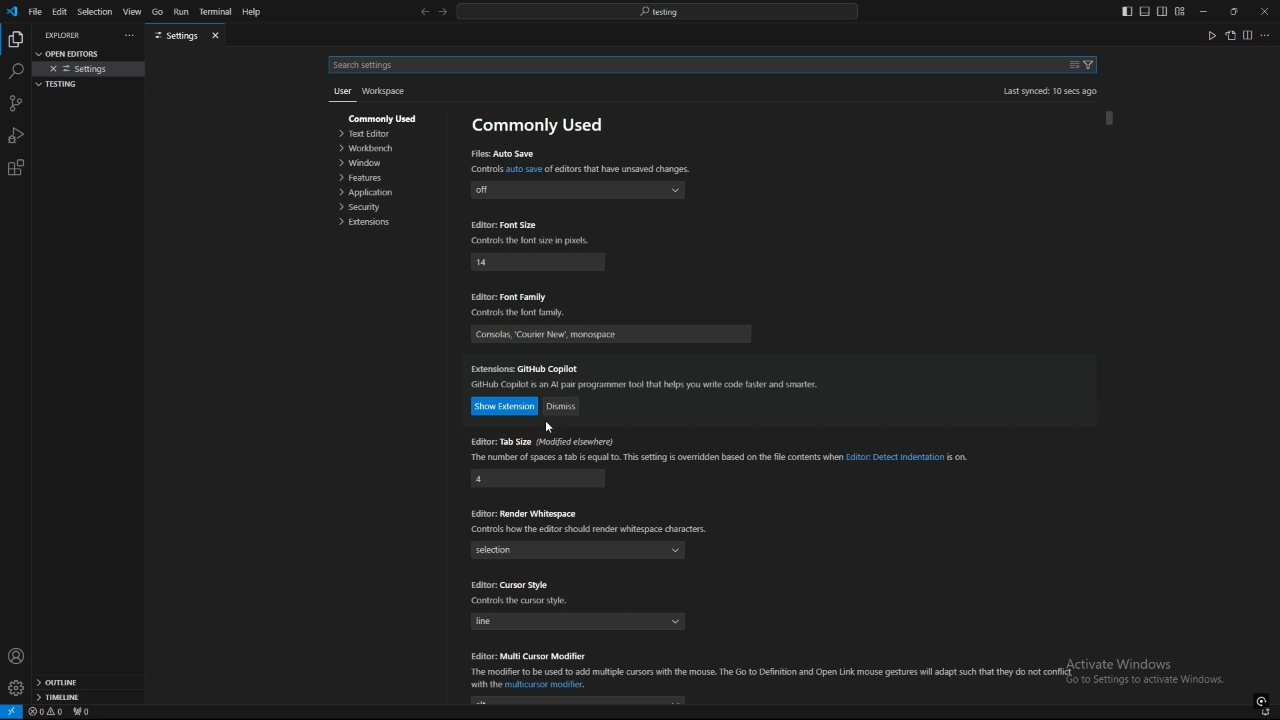 The image size is (1280, 720). What do you see at coordinates (657, 11) in the screenshot?
I see `search bar` at bounding box center [657, 11].